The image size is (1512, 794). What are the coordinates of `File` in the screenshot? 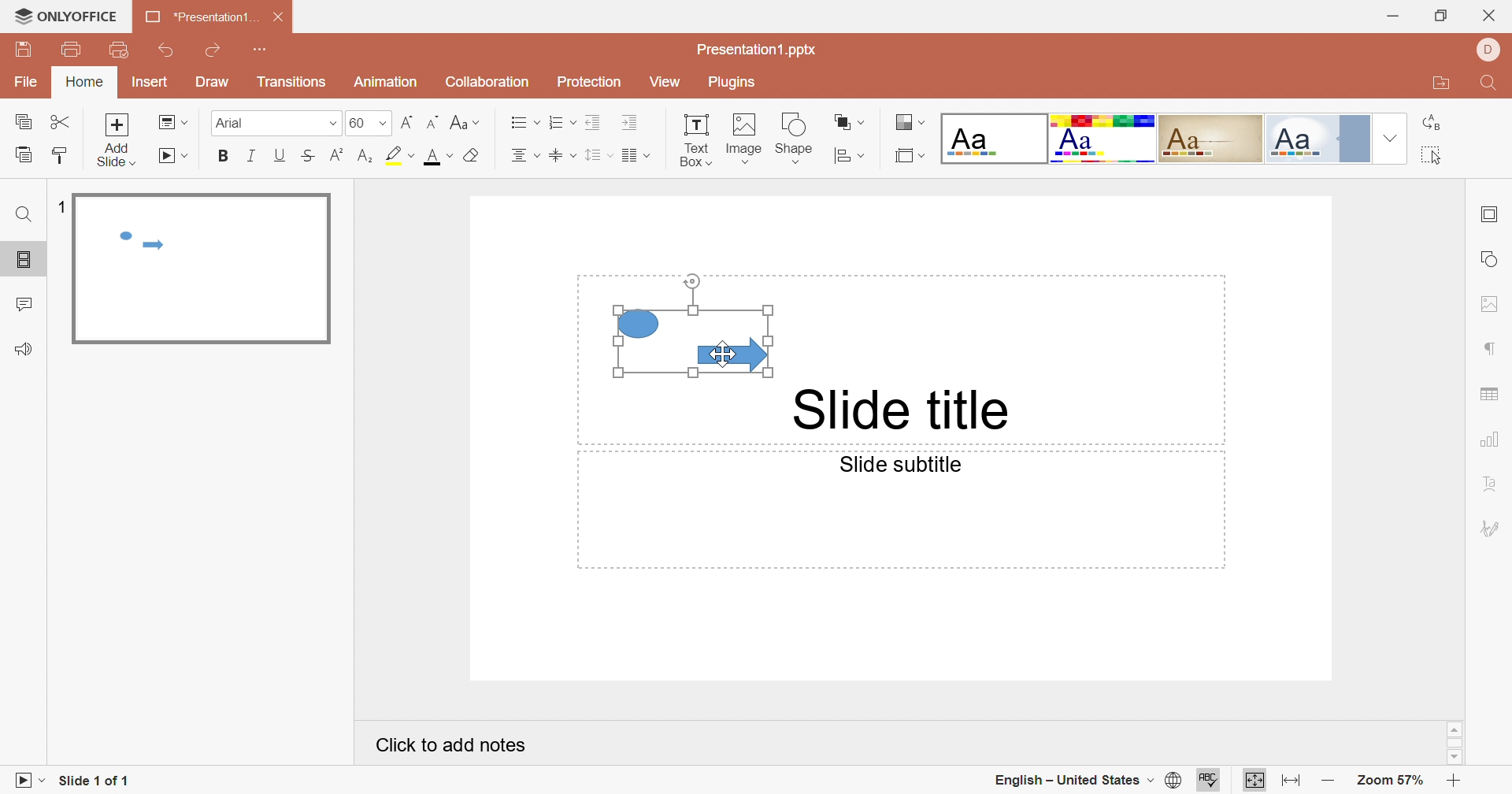 It's located at (25, 81).